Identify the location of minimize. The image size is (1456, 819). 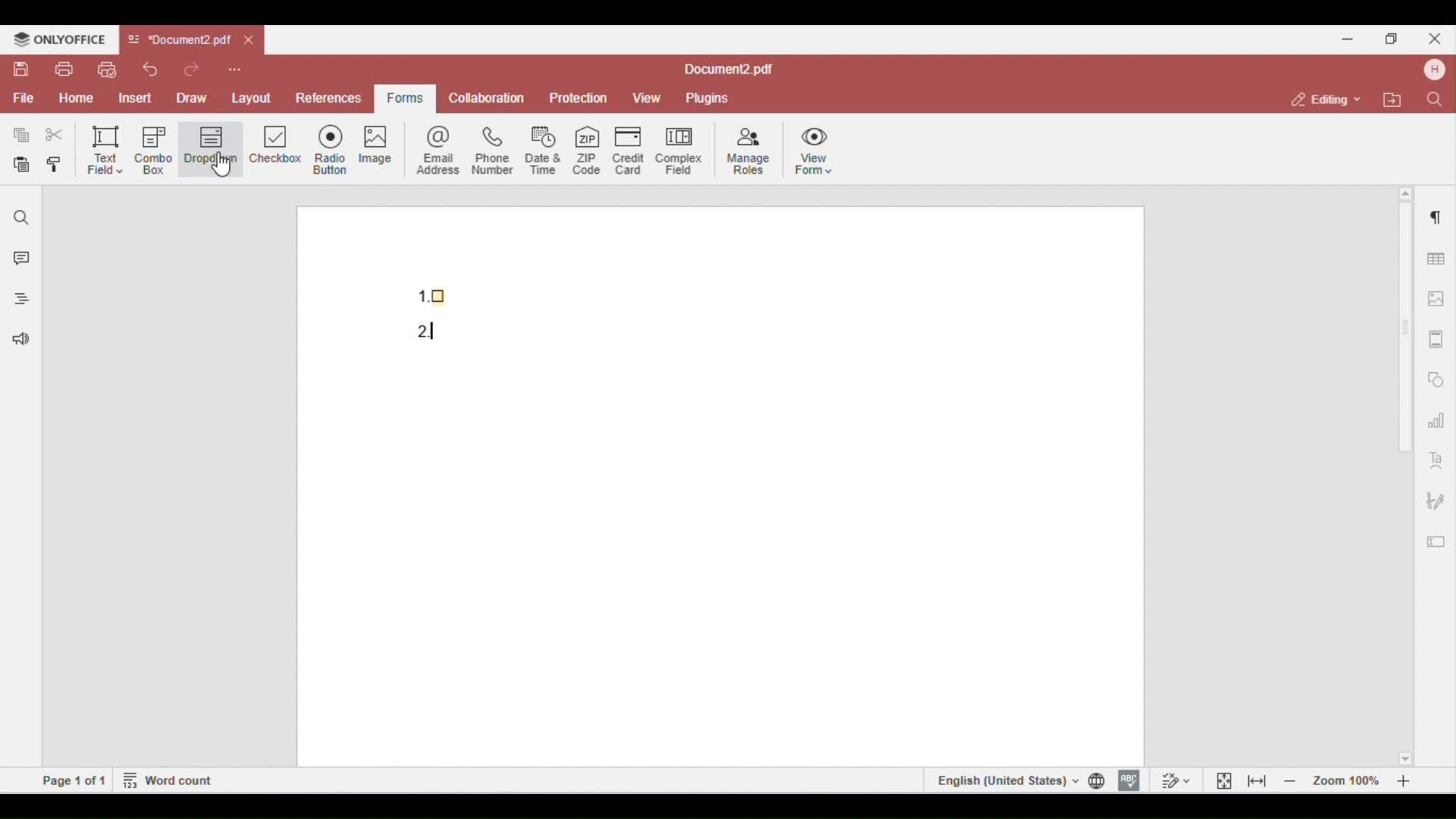
(1348, 37).